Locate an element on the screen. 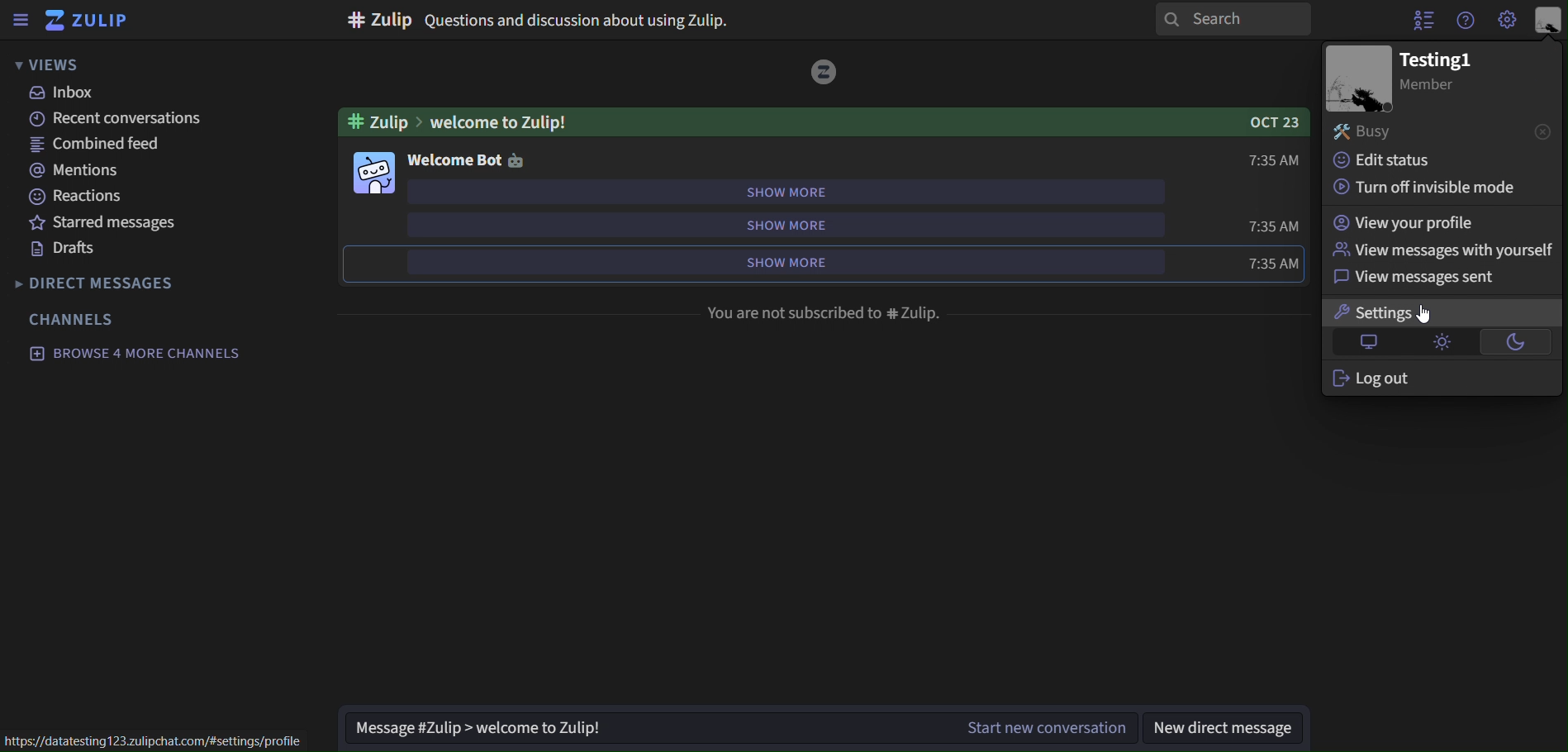 This screenshot has width=1568, height=752. Start new conversation is located at coordinates (1041, 728).